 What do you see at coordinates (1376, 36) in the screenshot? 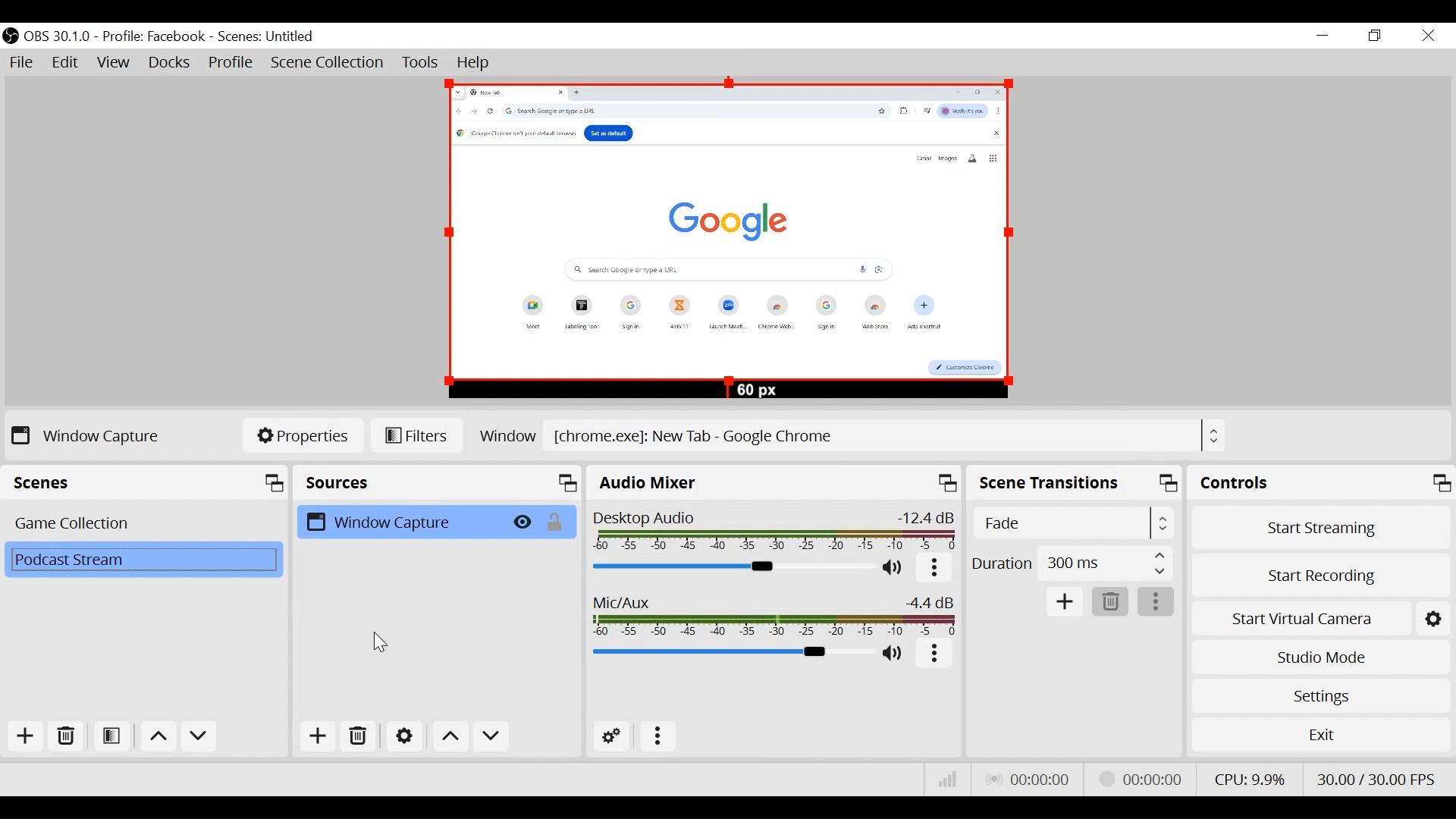
I see `Restore` at bounding box center [1376, 36].